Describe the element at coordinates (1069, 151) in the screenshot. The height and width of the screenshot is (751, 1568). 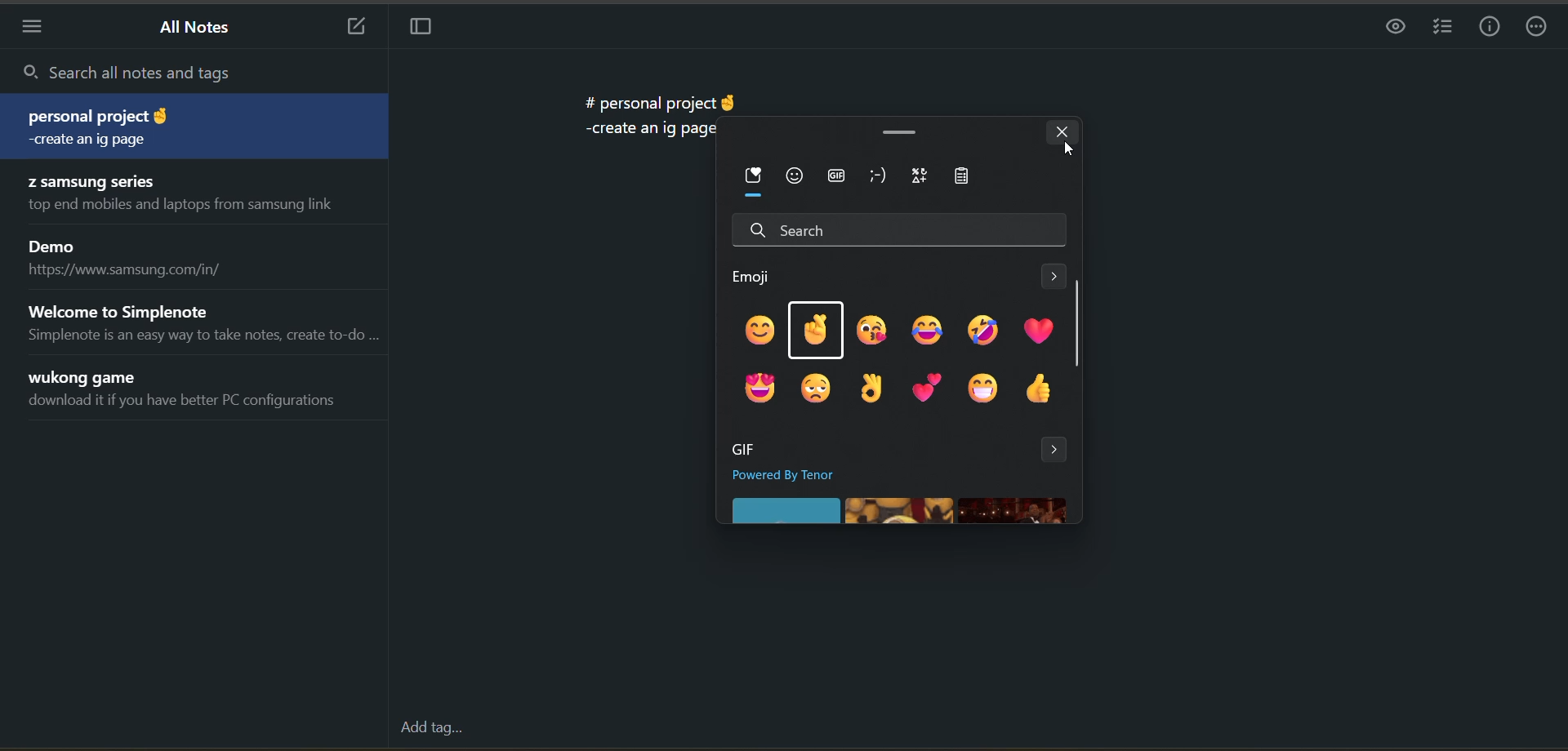
I see `cursor` at that location.